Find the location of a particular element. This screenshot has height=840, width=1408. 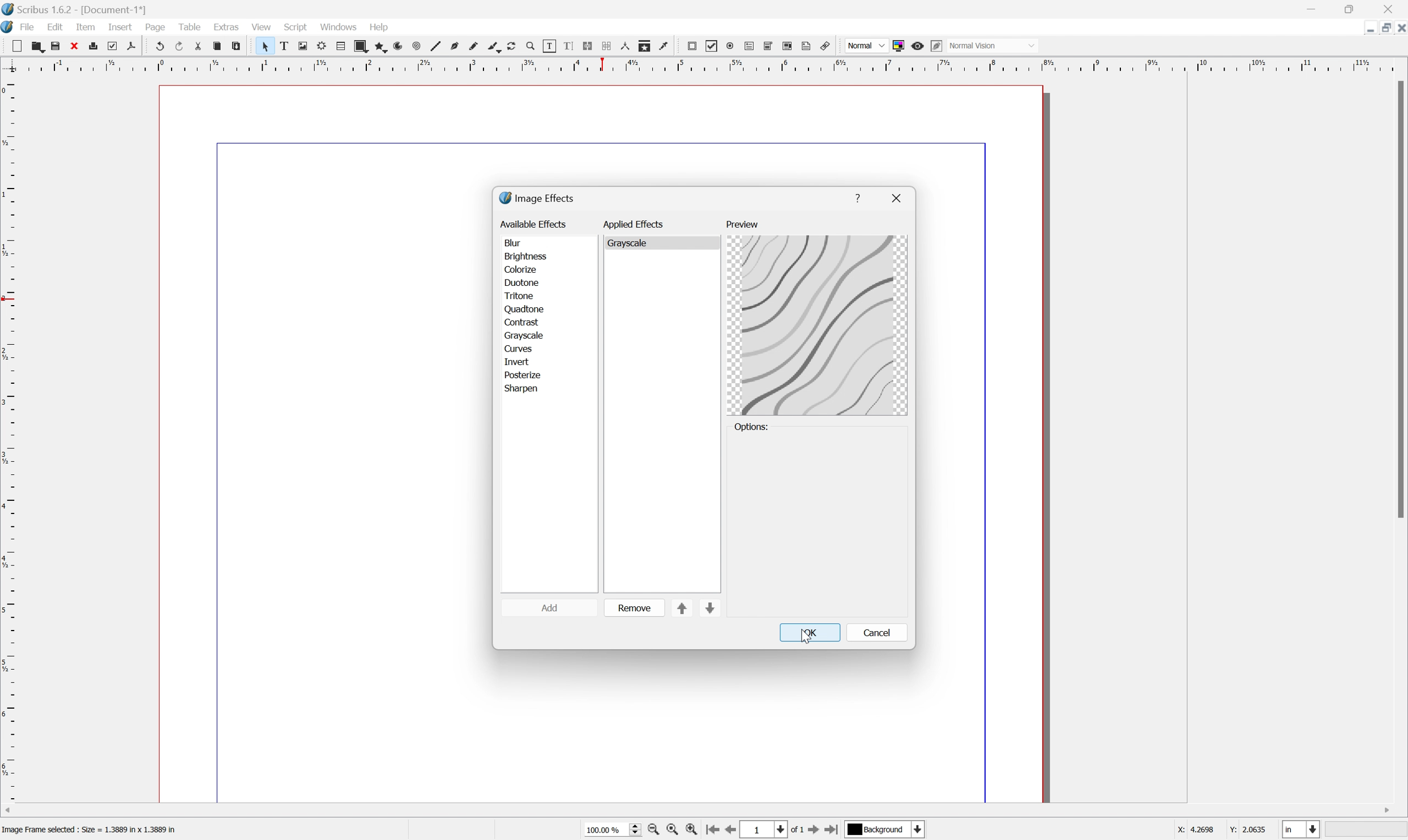

Scroll bar is located at coordinates (1399, 299).